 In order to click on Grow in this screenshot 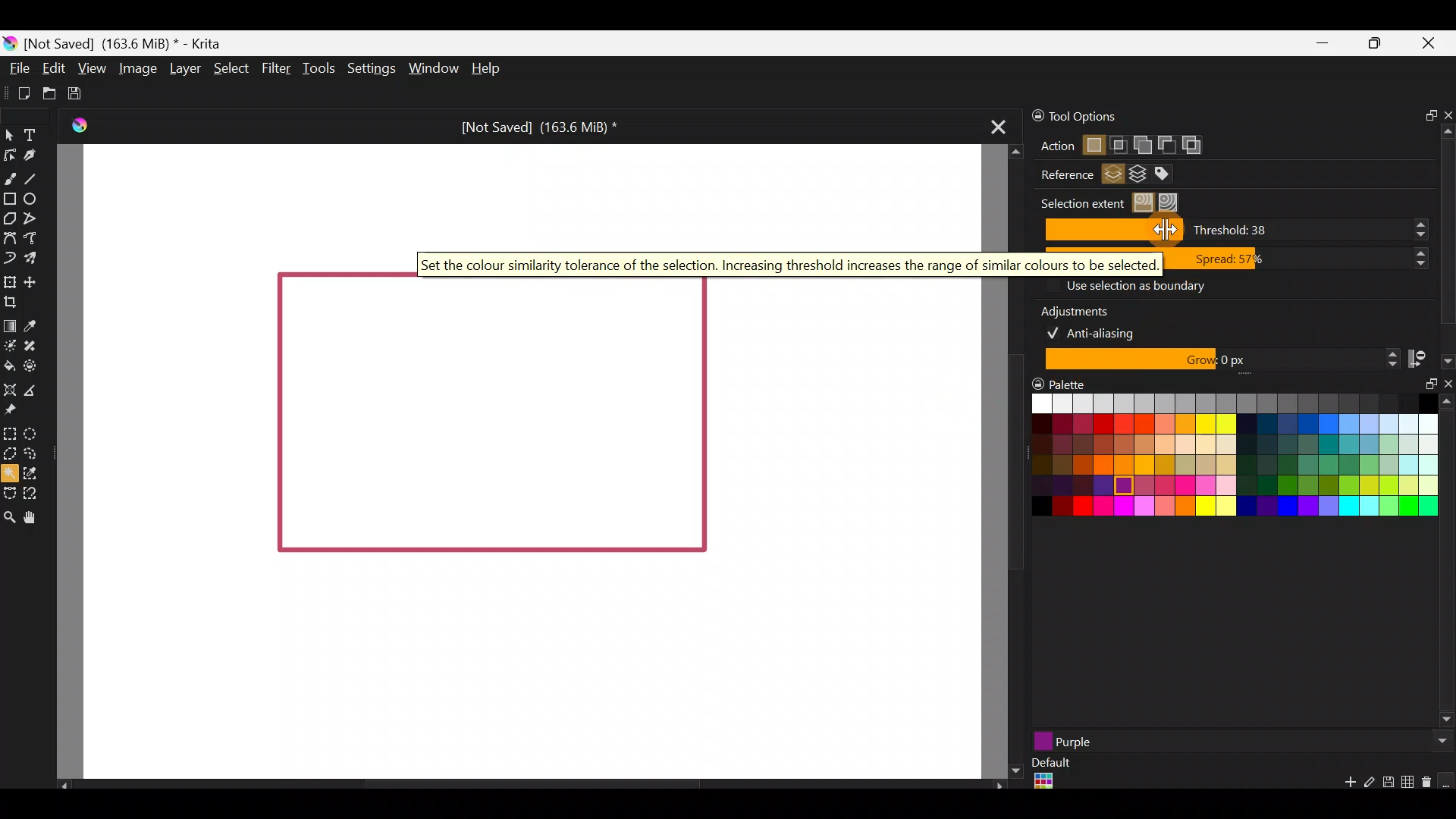, I will do `click(1219, 360)`.